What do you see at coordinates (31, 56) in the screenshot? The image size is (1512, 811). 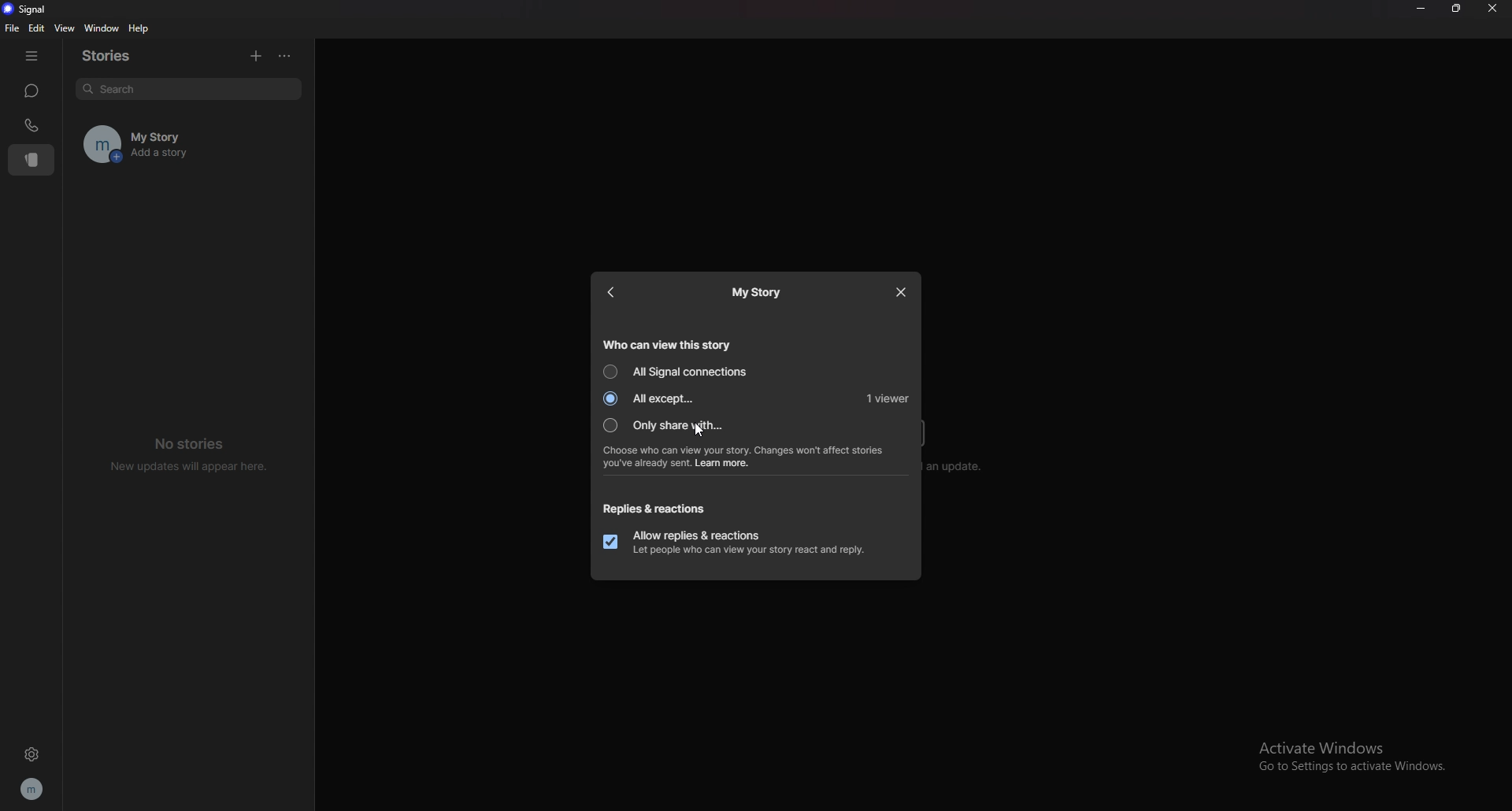 I see `hide tab` at bounding box center [31, 56].